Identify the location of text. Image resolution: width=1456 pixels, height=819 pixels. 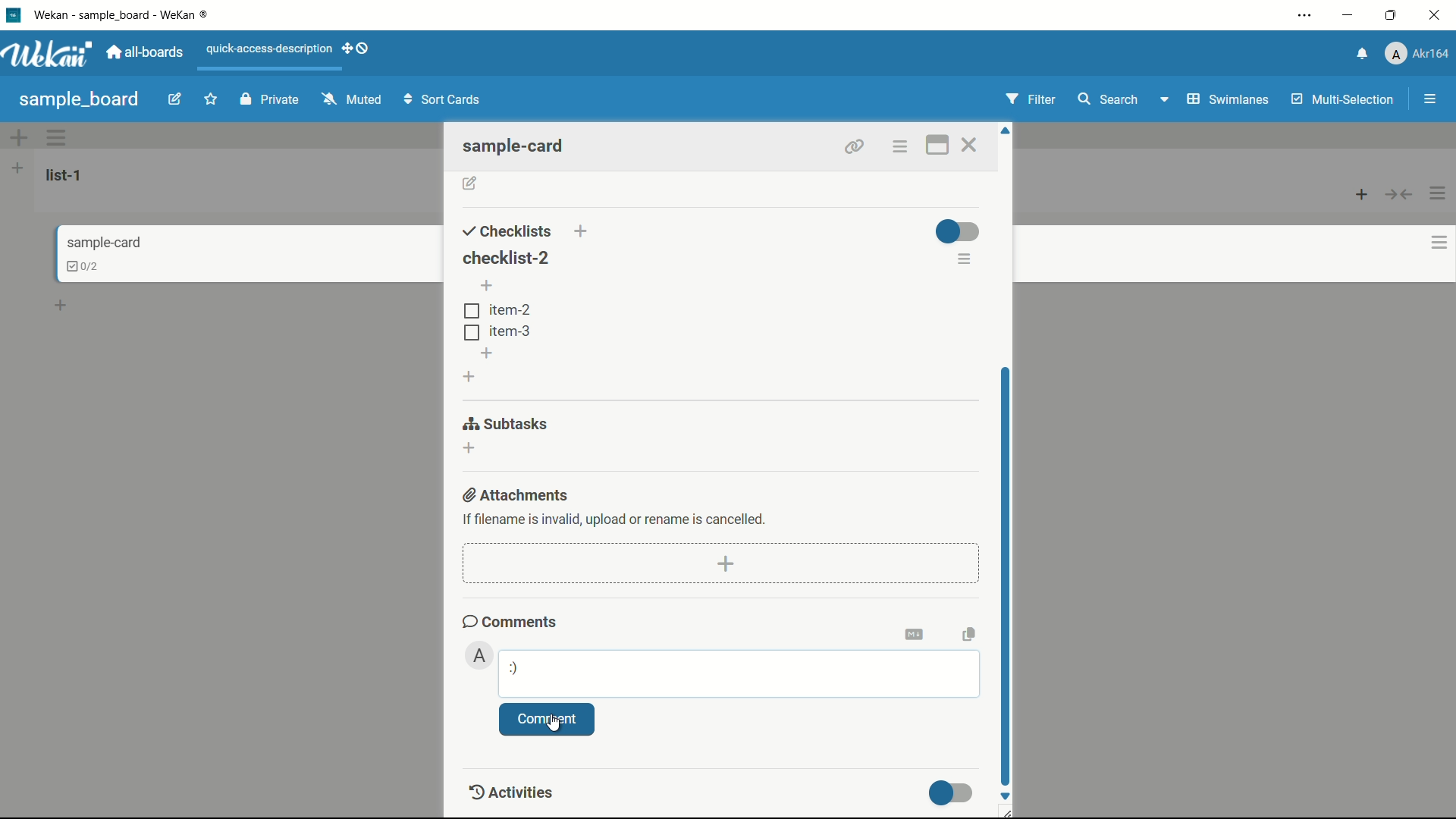
(616, 518).